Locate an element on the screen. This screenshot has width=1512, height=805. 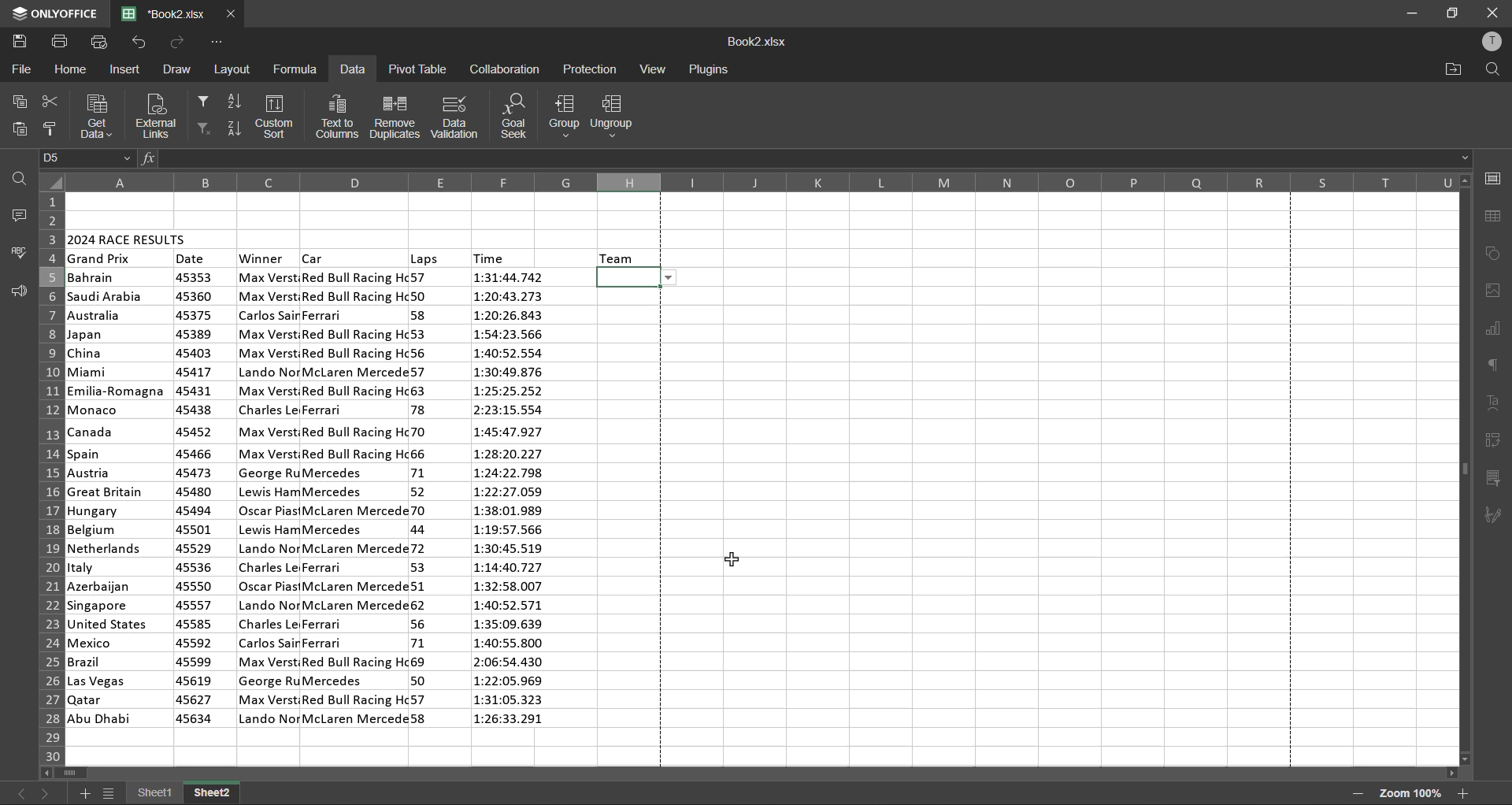
pivot table is located at coordinates (416, 69).